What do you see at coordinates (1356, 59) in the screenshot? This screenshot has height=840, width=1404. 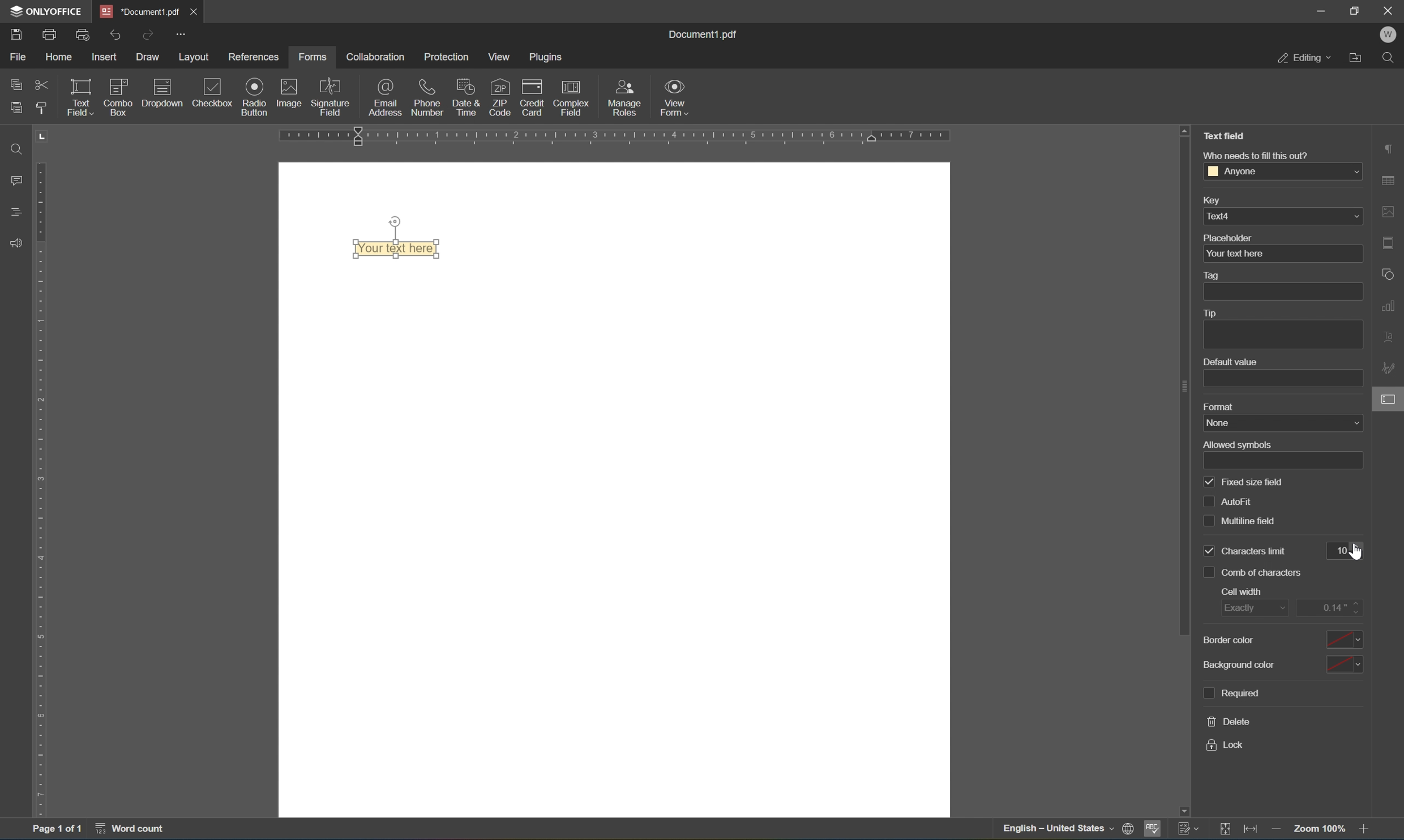 I see `open file location` at bounding box center [1356, 59].